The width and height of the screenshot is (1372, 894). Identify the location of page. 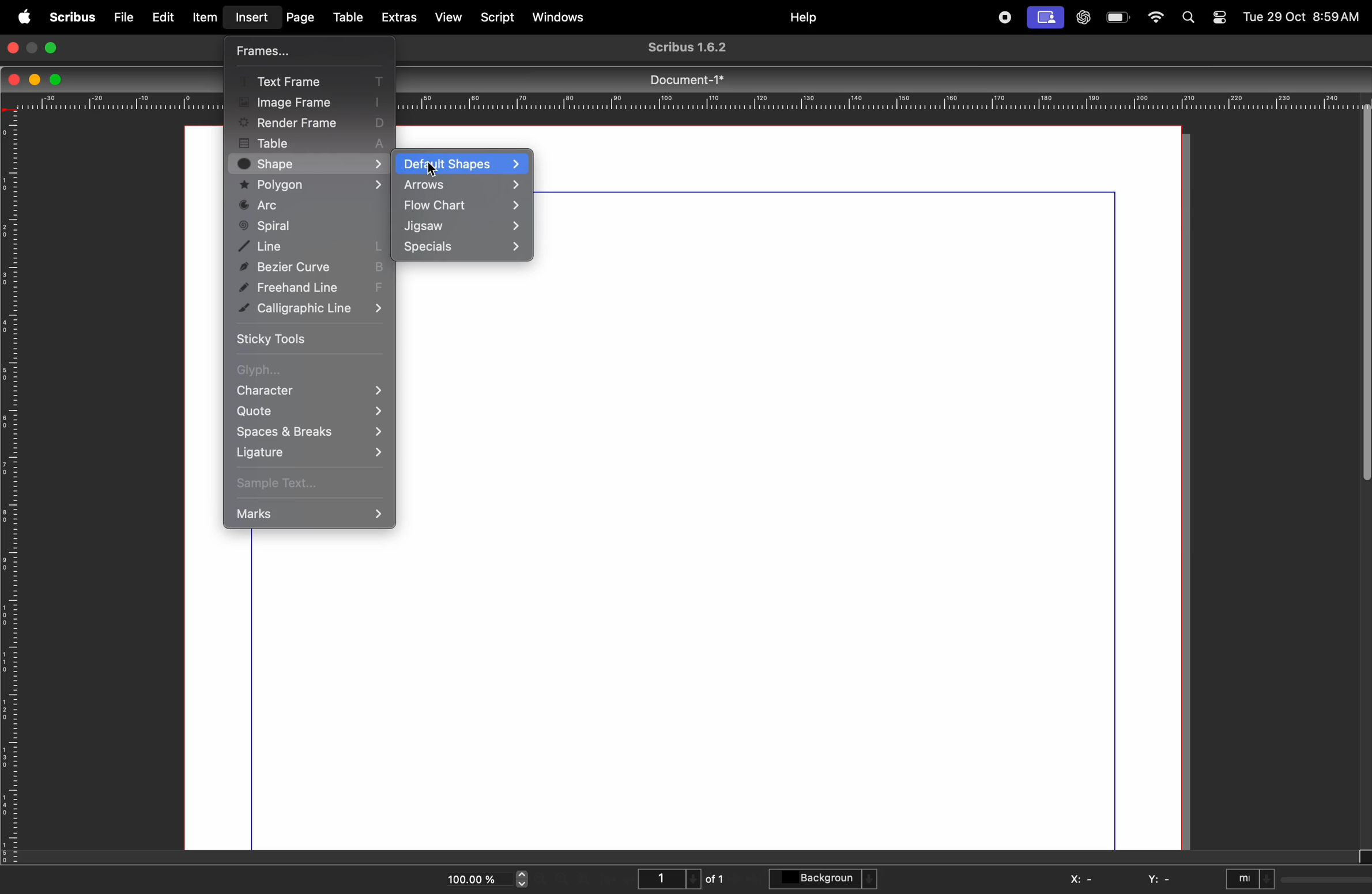
(300, 16).